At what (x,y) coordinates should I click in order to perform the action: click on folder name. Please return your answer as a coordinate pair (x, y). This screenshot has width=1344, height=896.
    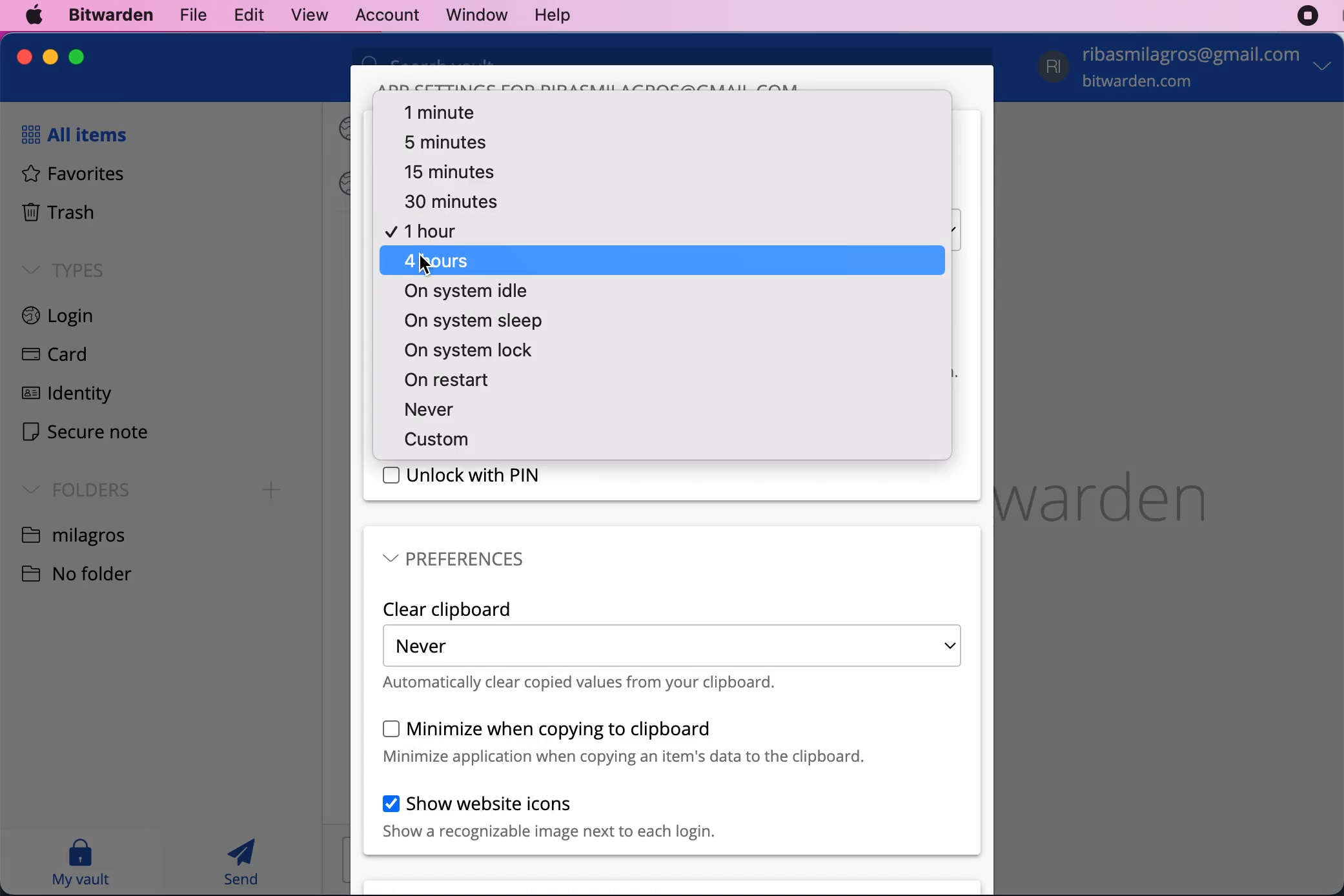
    Looking at the image, I should click on (76, 534).